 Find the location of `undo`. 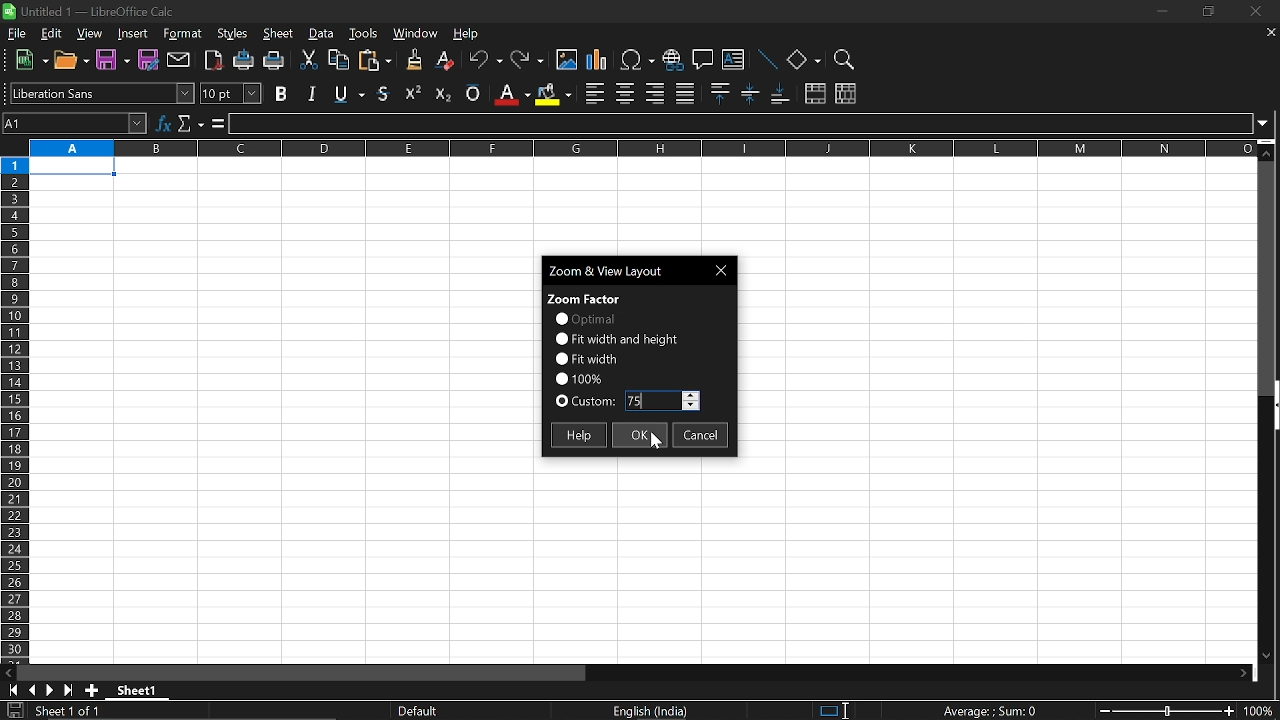

undo is located at coordinates (486, 62).